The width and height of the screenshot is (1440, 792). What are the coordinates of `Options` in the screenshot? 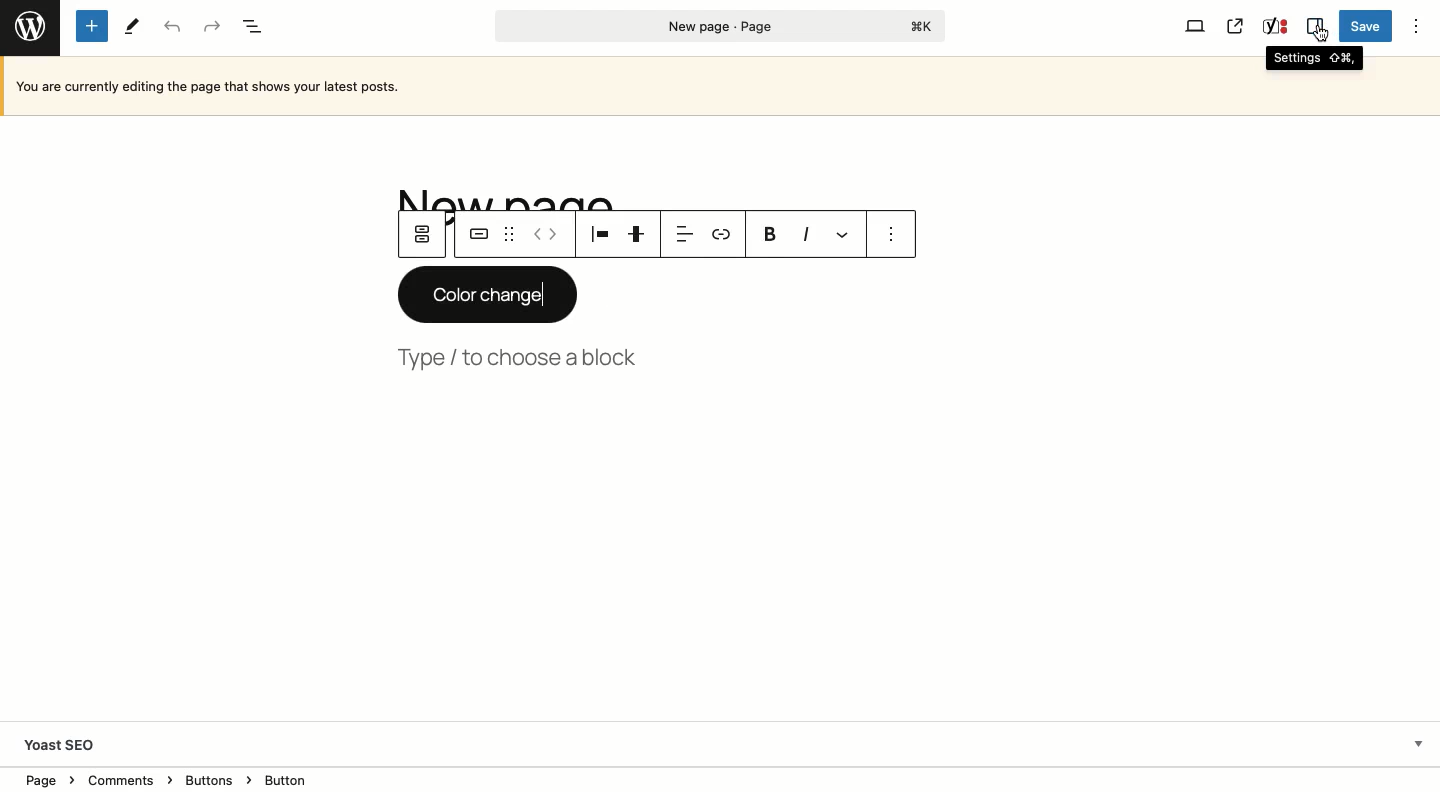 It's located at (1415, 26).